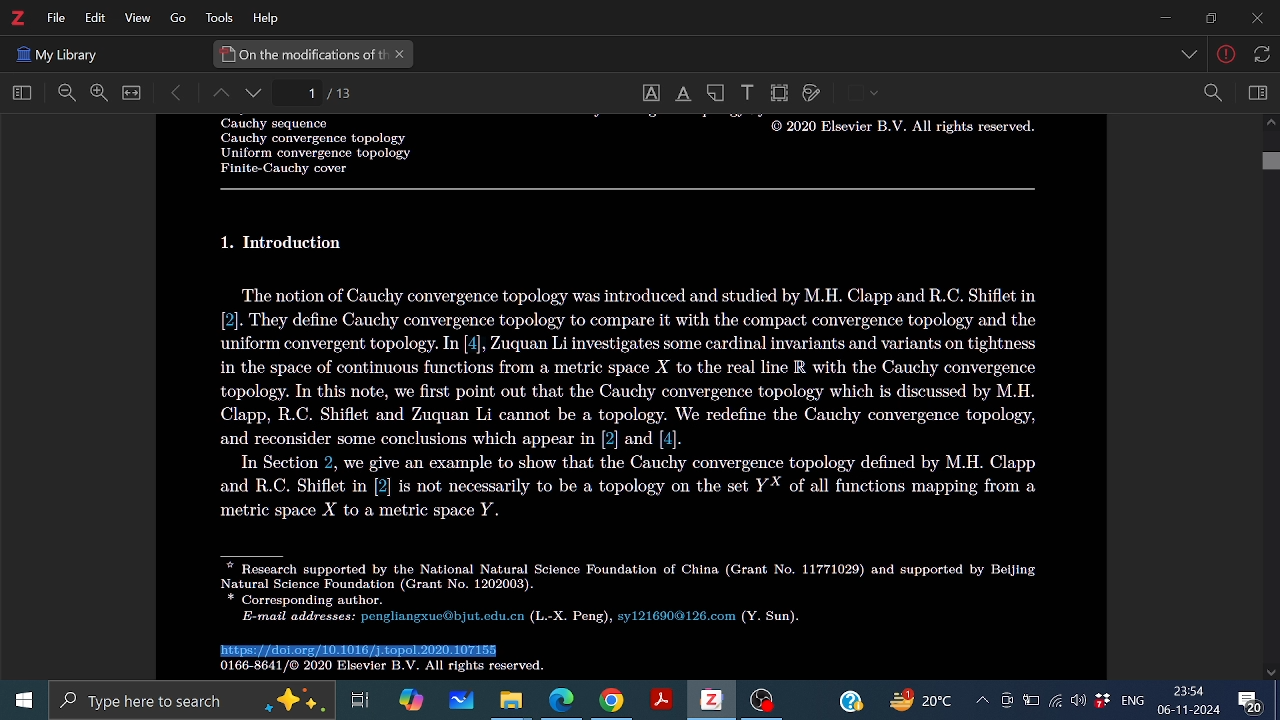  I want to click on Google chorme, so click(610, 701).